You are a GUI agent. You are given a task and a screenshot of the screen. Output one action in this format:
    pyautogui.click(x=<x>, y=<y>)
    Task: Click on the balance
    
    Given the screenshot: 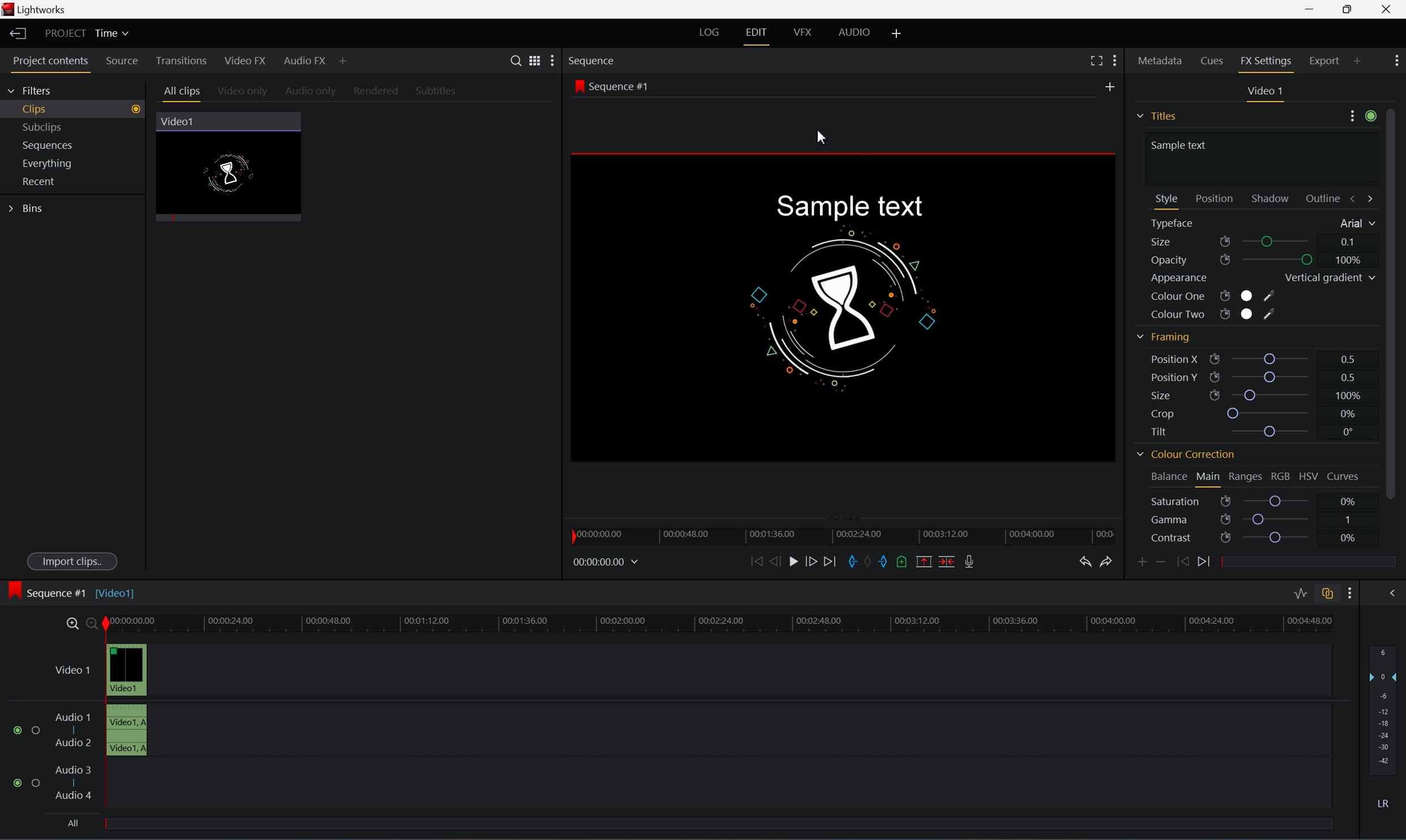 What is the action you would take?
    pyautogui.click(x=1164, y=474)
    